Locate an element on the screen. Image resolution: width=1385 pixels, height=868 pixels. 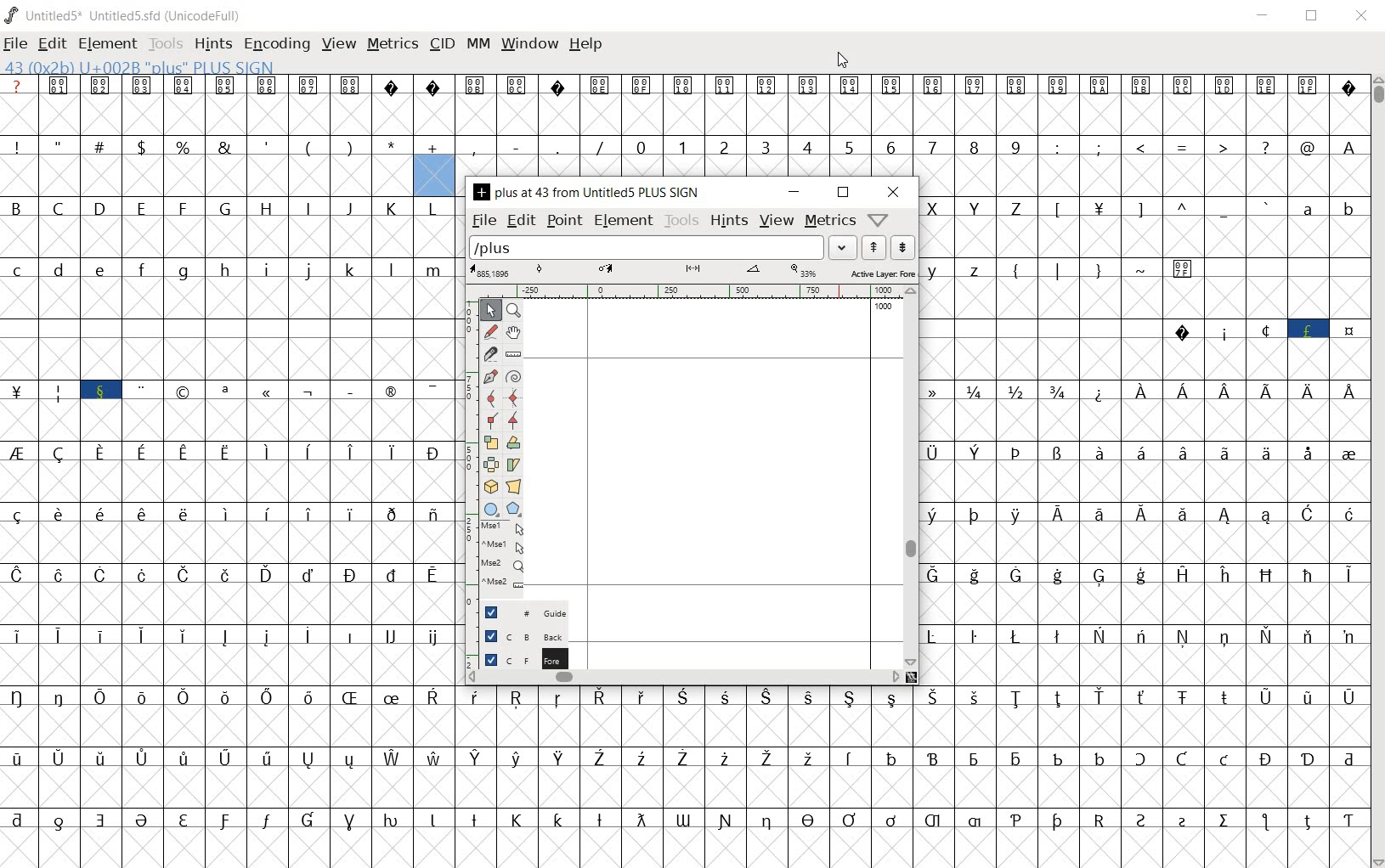
| M
i is located at coordinates (18, 413).